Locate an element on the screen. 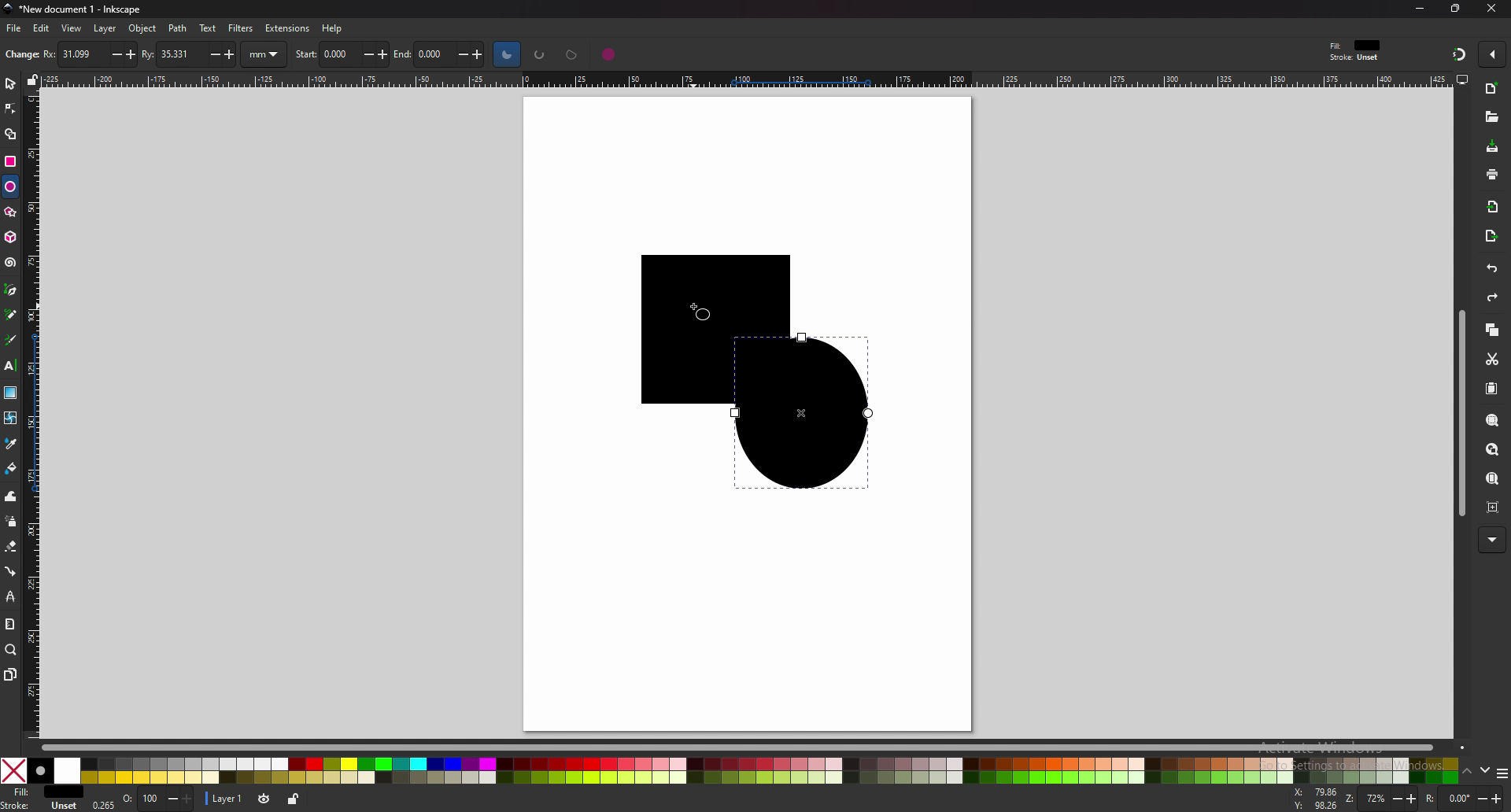  cursor is located at coordinates (701, 316).